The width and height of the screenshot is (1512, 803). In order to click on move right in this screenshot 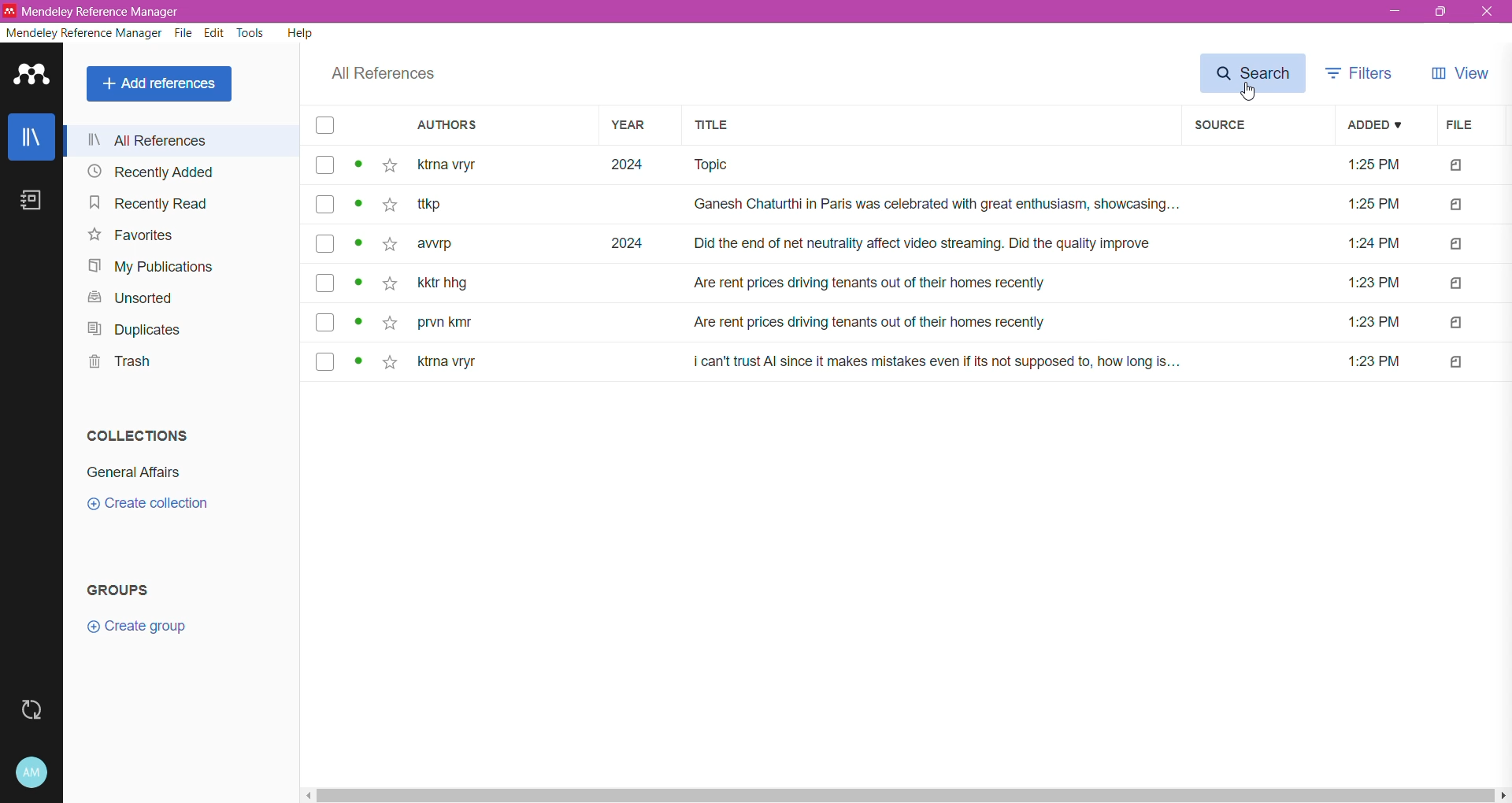, I will do `click(1503, 793)`.